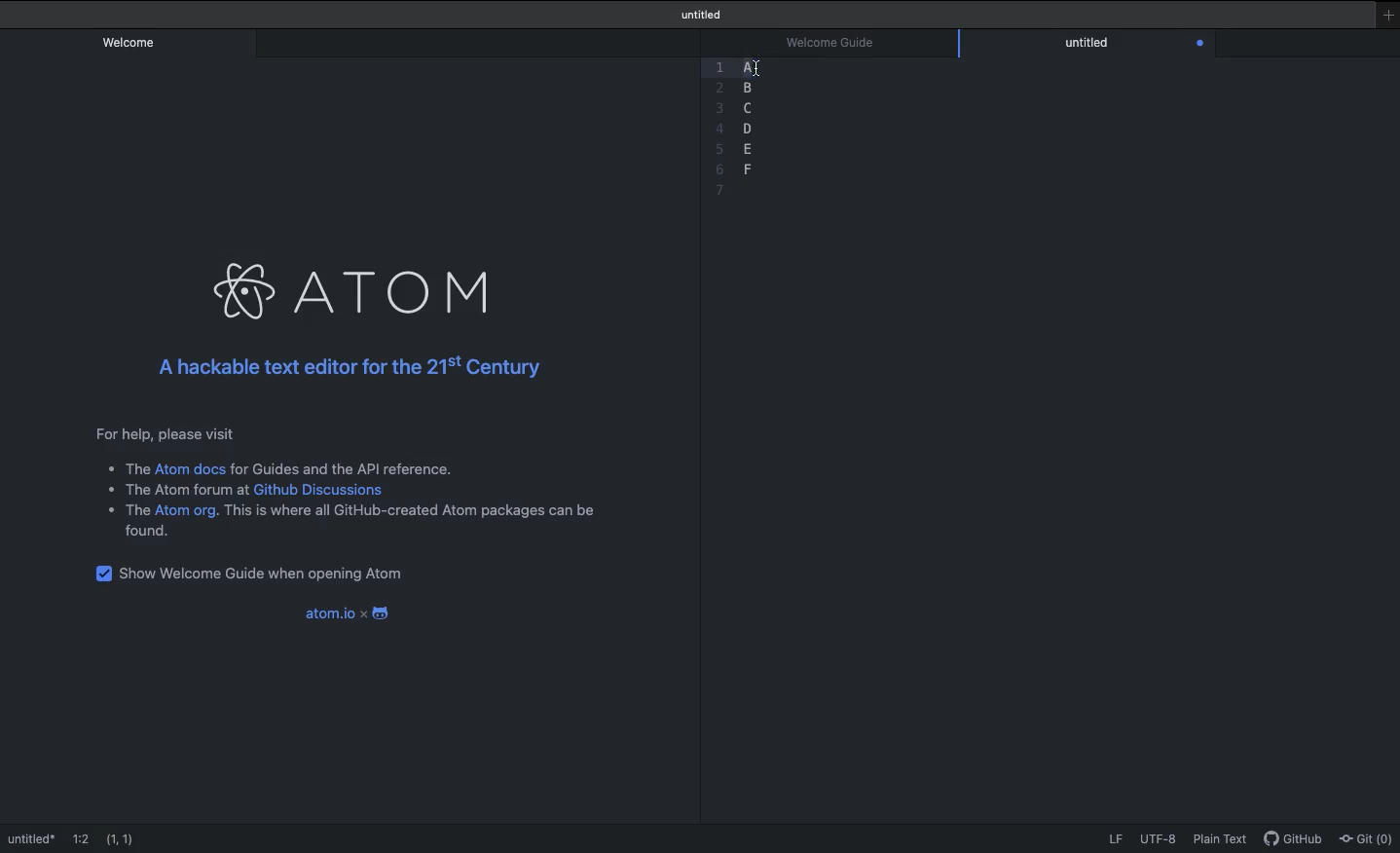 The height and width of the screenshot is (853, 1400). What do you see at coordinates (751, 106) in the screenshot?
I see `c` at bounding box center [751, 106].